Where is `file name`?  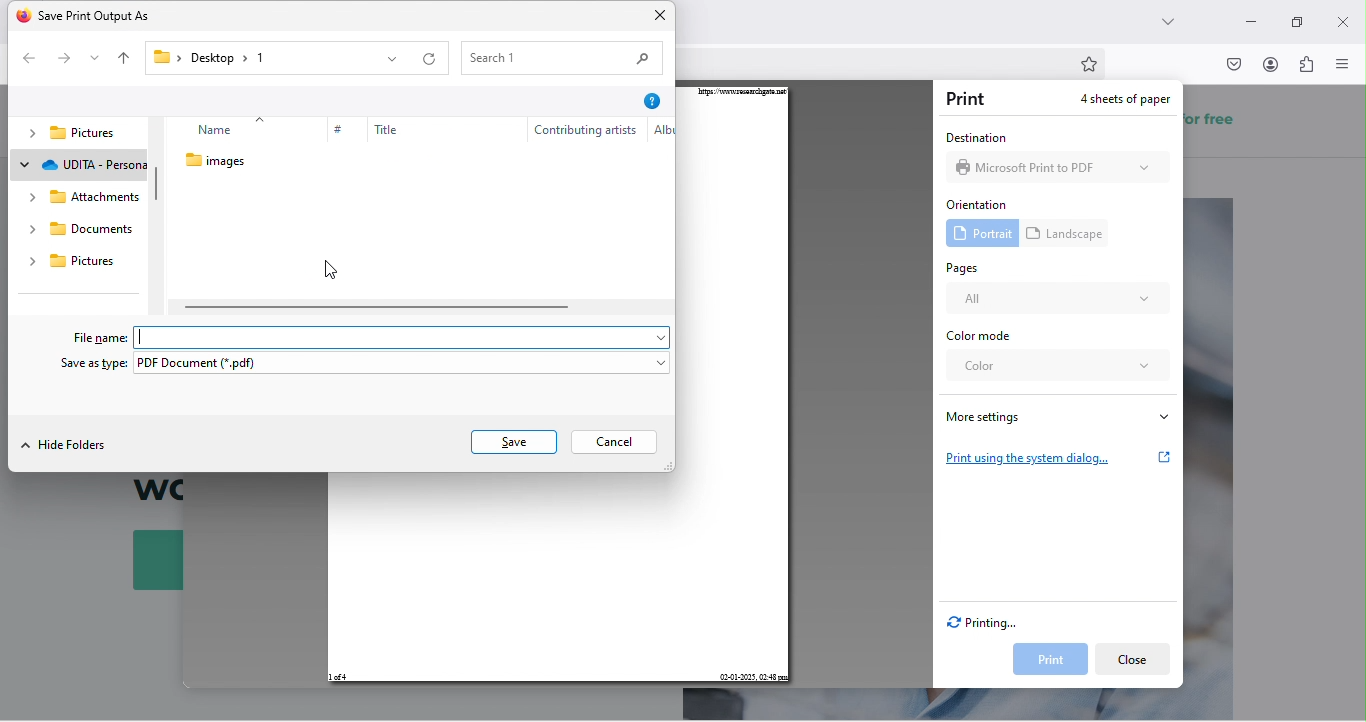 file name is located at coordinates (364, 335).